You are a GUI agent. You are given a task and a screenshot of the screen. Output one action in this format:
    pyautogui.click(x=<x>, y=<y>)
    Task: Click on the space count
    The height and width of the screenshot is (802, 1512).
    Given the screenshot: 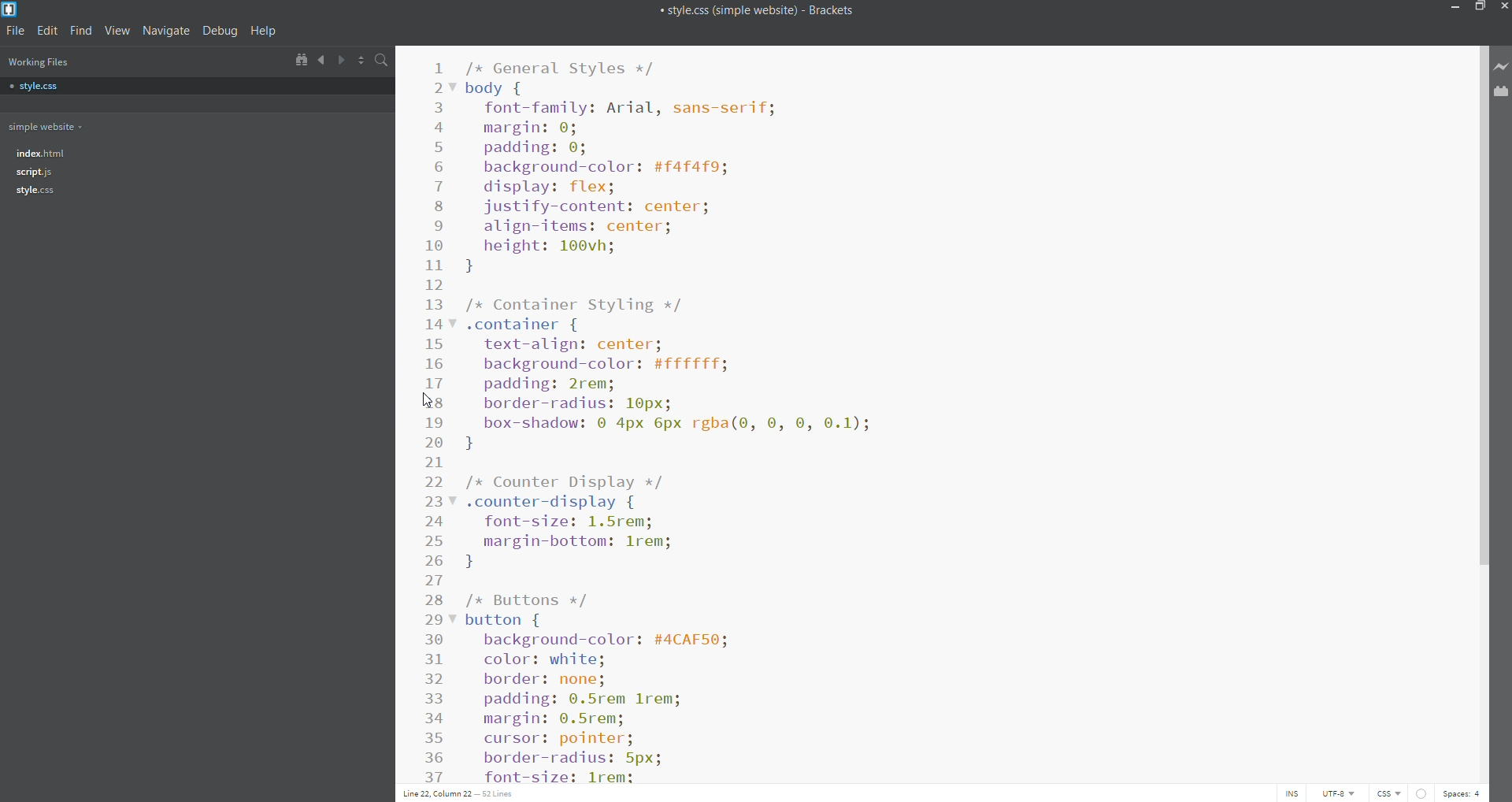 What is the action you would take?
    pyautogui.click(x=1462, y=794)
    